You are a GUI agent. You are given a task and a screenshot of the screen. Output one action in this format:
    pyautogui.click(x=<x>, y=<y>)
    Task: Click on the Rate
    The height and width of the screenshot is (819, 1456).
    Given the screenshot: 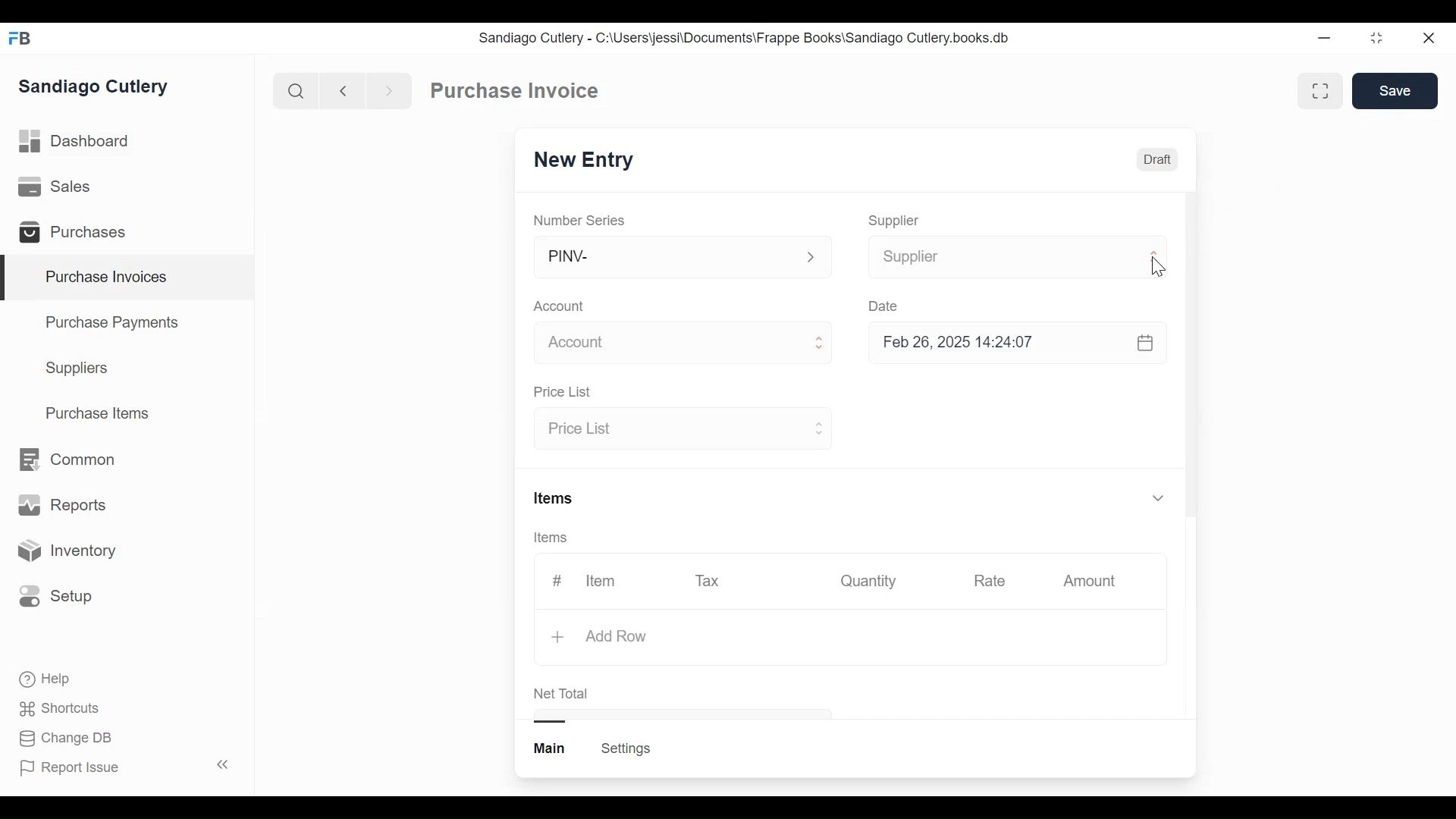 What is the action you would take?
    pyautogui.click(x=988, y=581)
    